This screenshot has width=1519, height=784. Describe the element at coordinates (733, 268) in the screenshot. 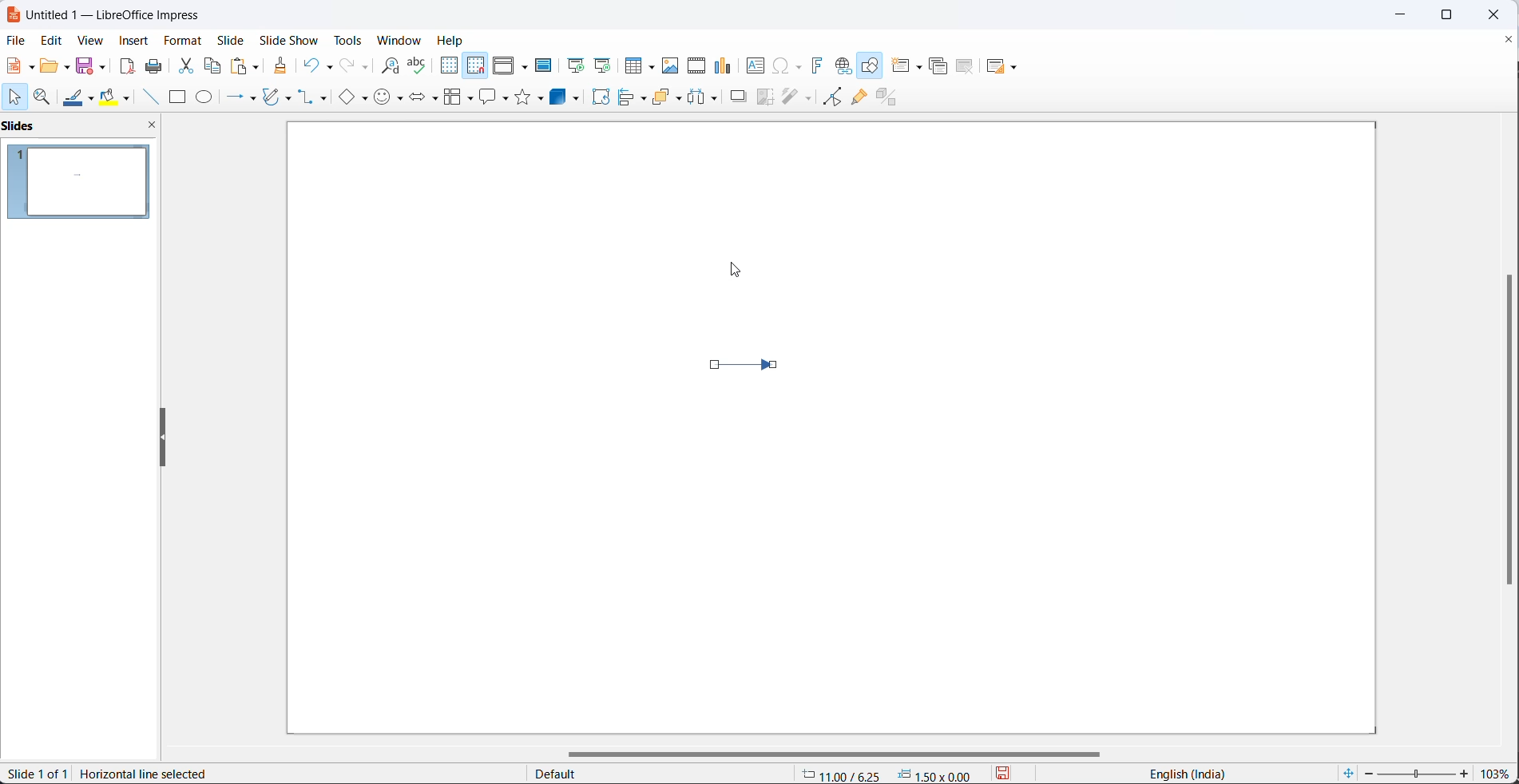

I see `cursor` at that location.